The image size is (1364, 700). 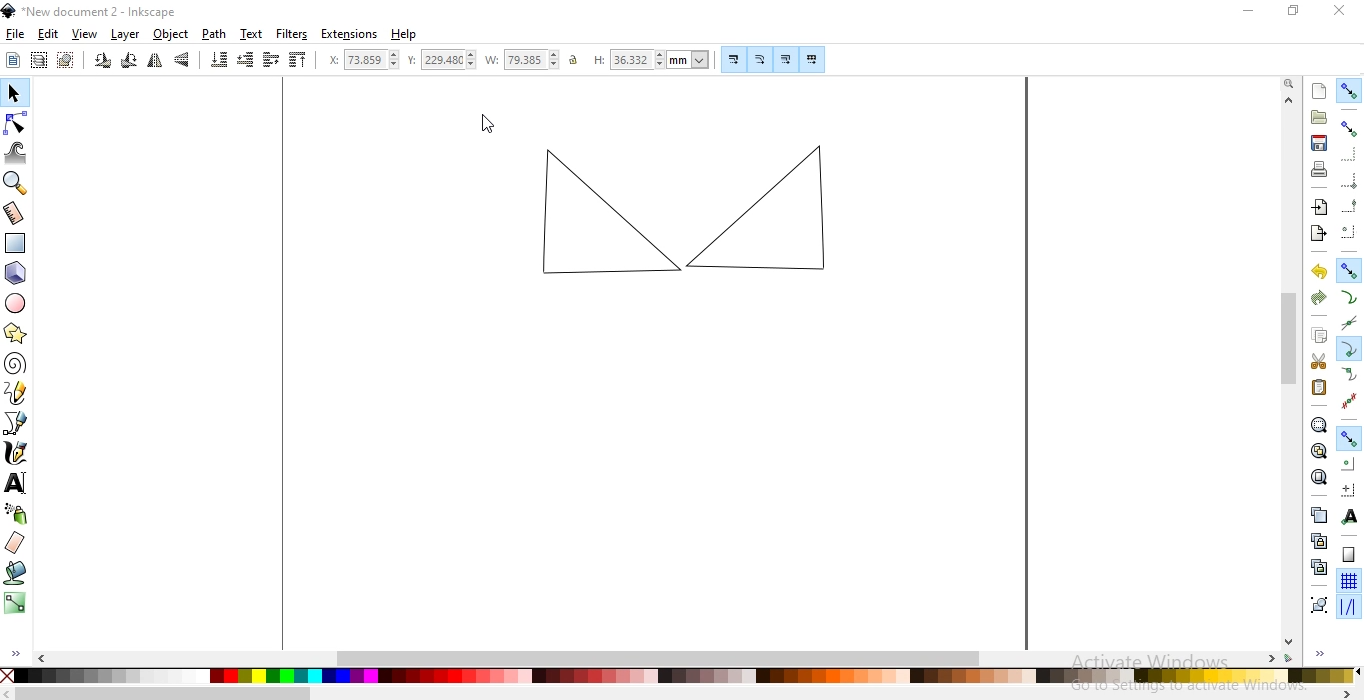 What do you see at coordinates (1319, 477) in the screenshot?
I see `zoom to fit page` at bounding box center [1319, 477].